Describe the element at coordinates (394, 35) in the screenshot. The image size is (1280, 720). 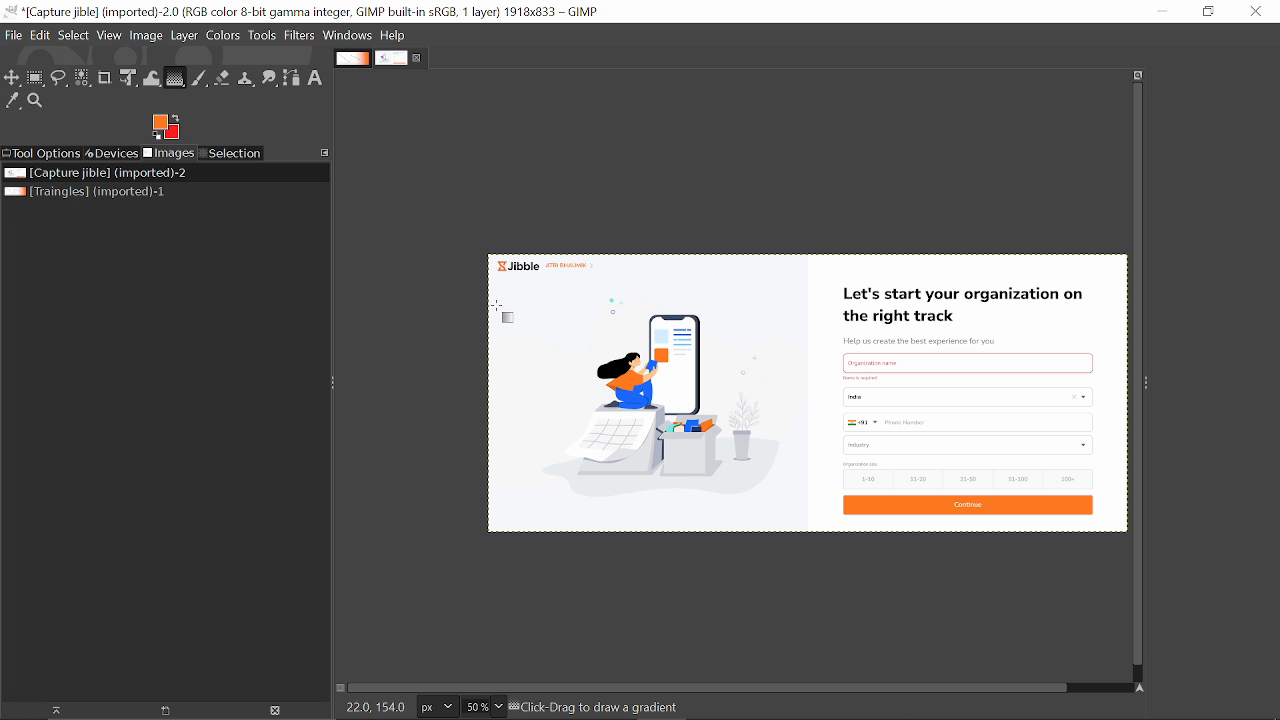
I see `Help` at that location.